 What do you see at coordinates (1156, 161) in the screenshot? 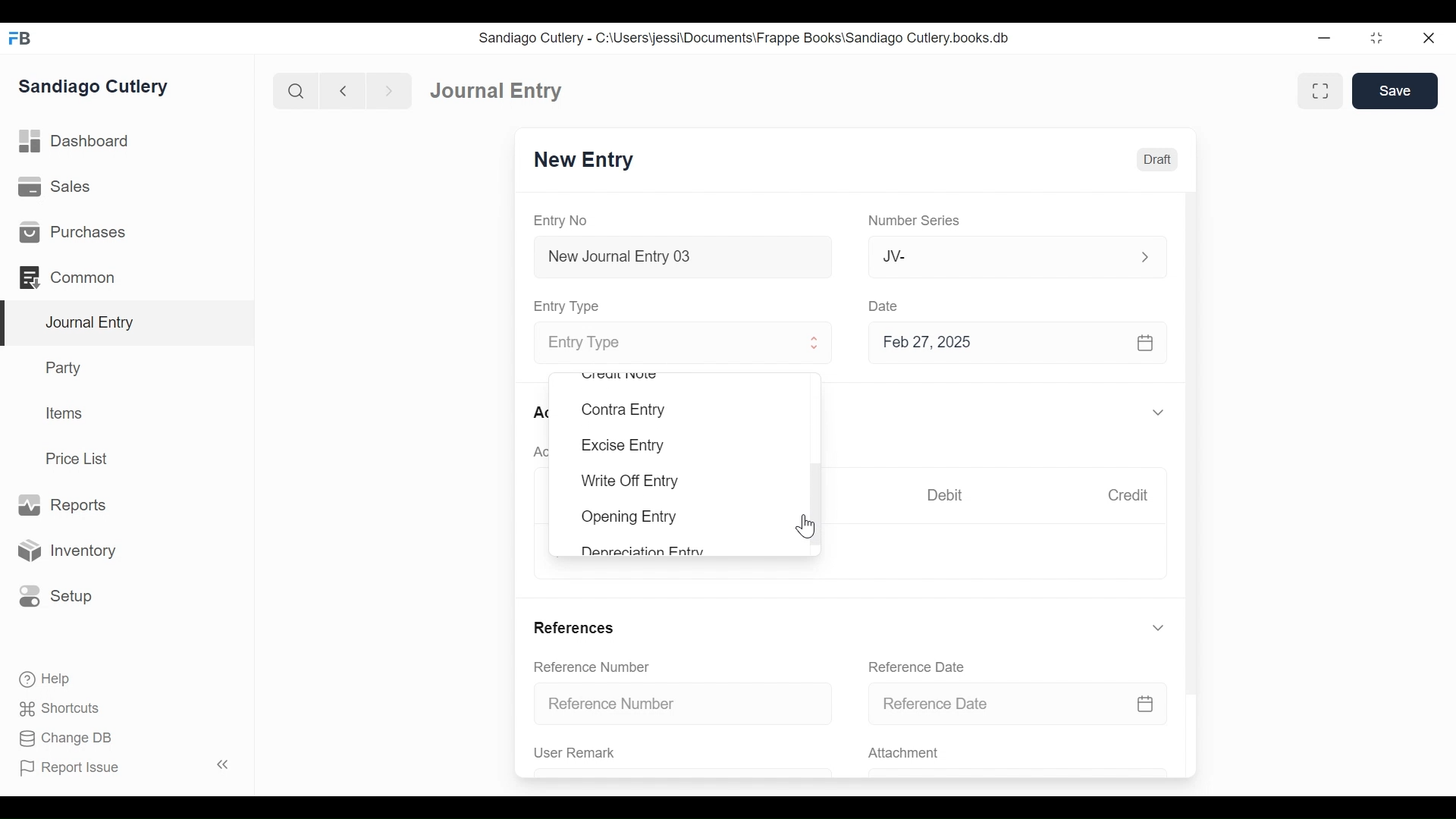
I see `Draft` at bounding box center [1156, 161].